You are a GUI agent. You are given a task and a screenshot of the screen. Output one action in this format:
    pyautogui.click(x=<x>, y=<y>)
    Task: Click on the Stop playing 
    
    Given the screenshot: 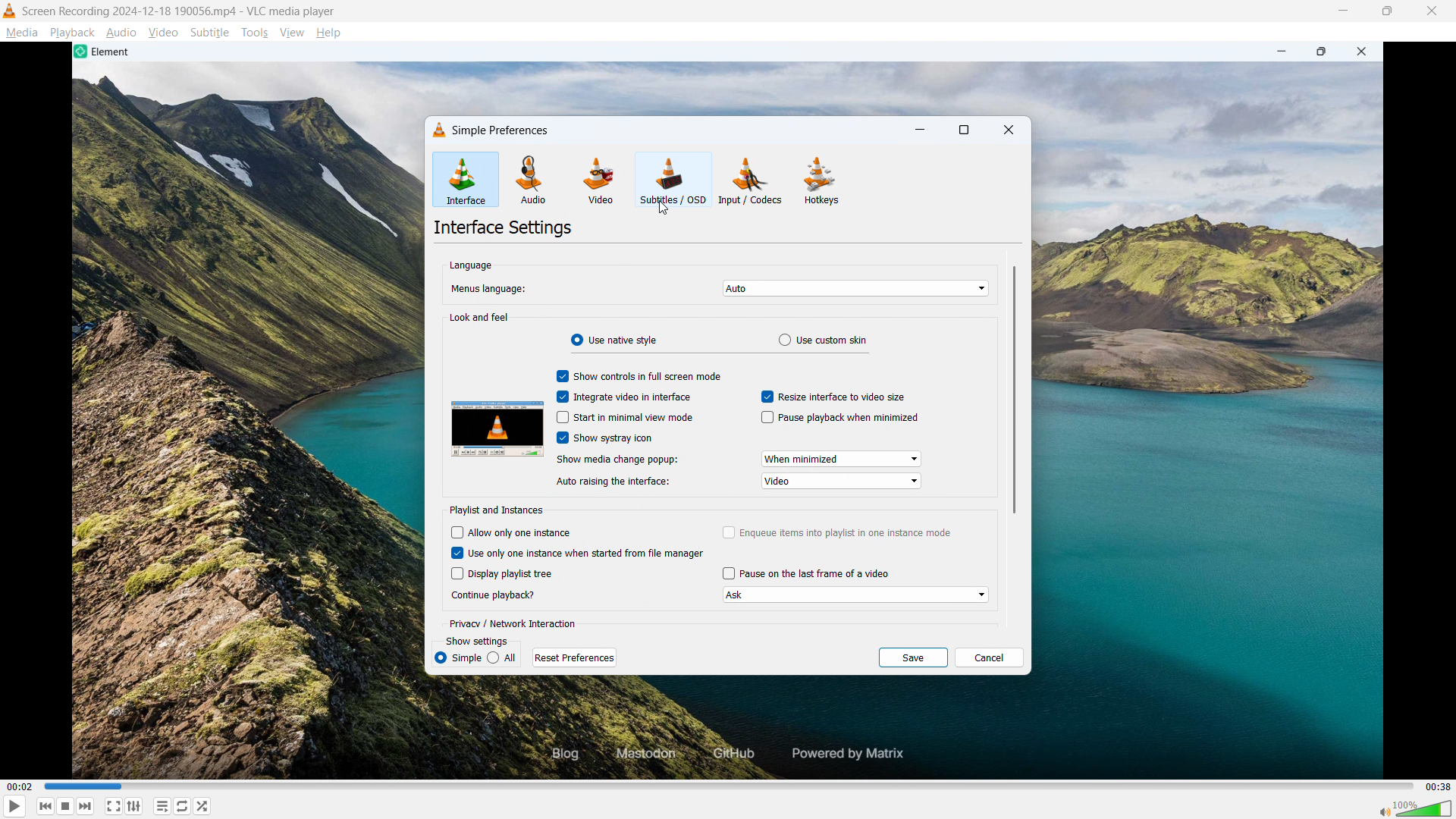 What is the action you would take?
    pyautogui.click(x=65, y=806)
    